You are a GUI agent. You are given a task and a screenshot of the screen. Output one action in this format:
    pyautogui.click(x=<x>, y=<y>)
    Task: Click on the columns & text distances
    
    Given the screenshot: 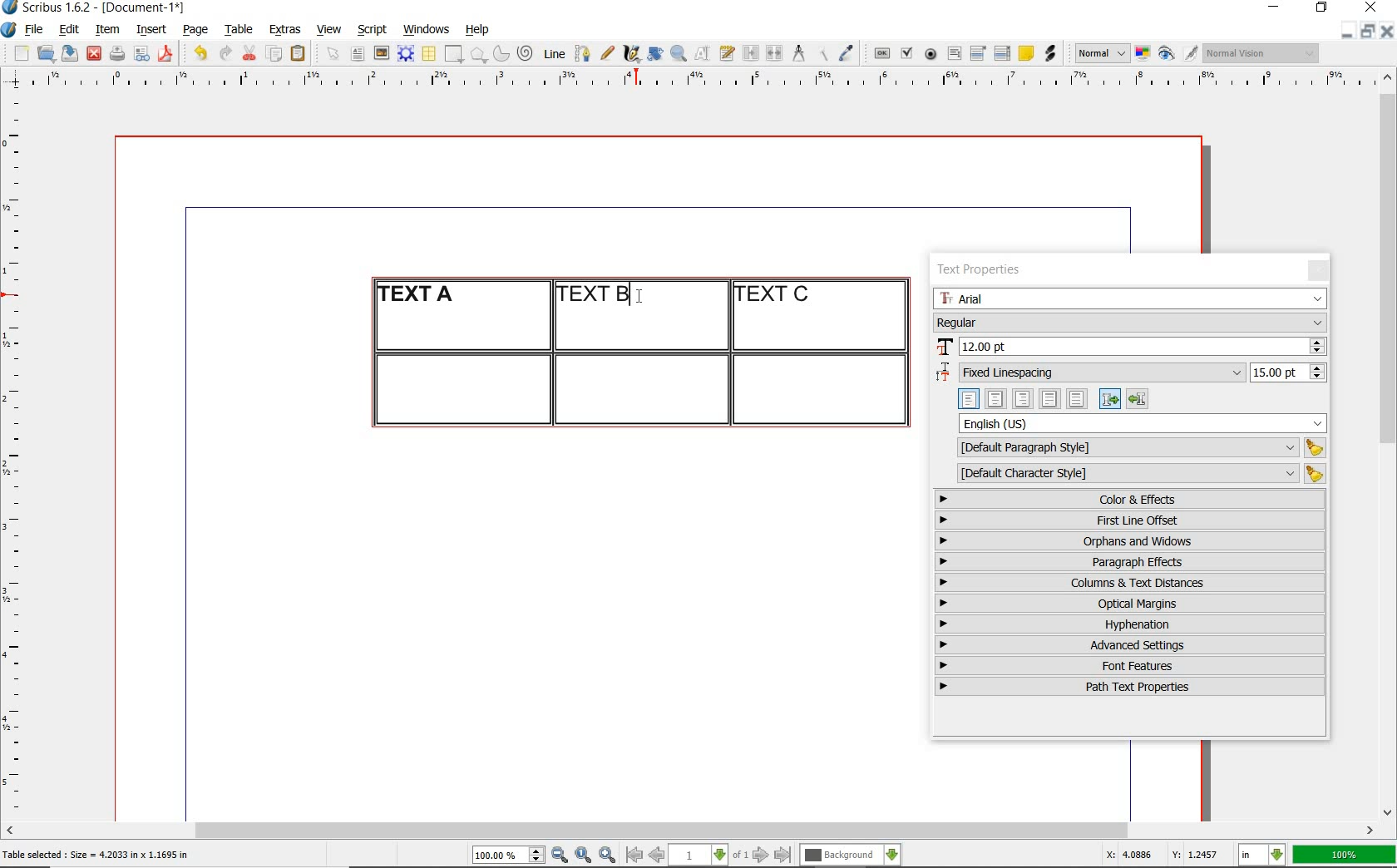 What is the action you would take?
    pyautogui.click(x=1133, y=583)
    